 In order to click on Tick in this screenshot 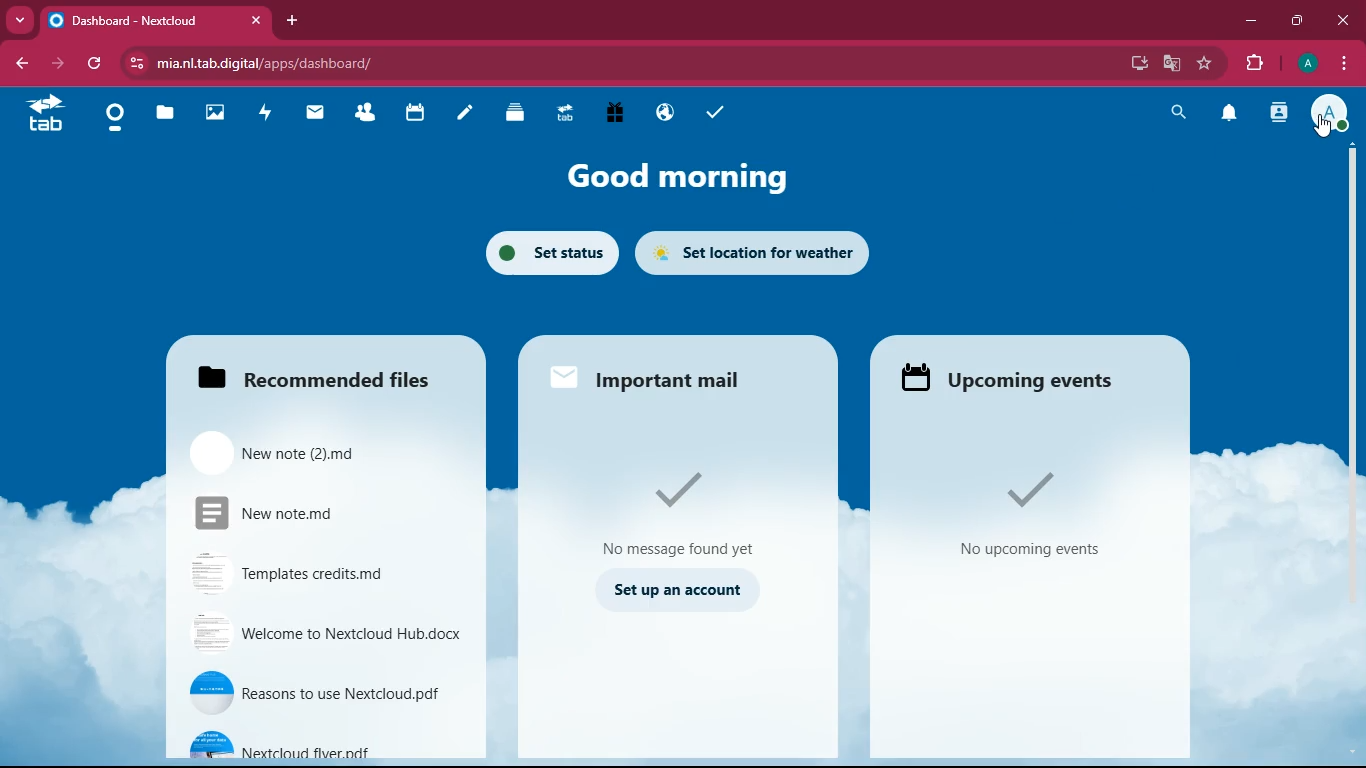, I will do `click(1025, 492)`.